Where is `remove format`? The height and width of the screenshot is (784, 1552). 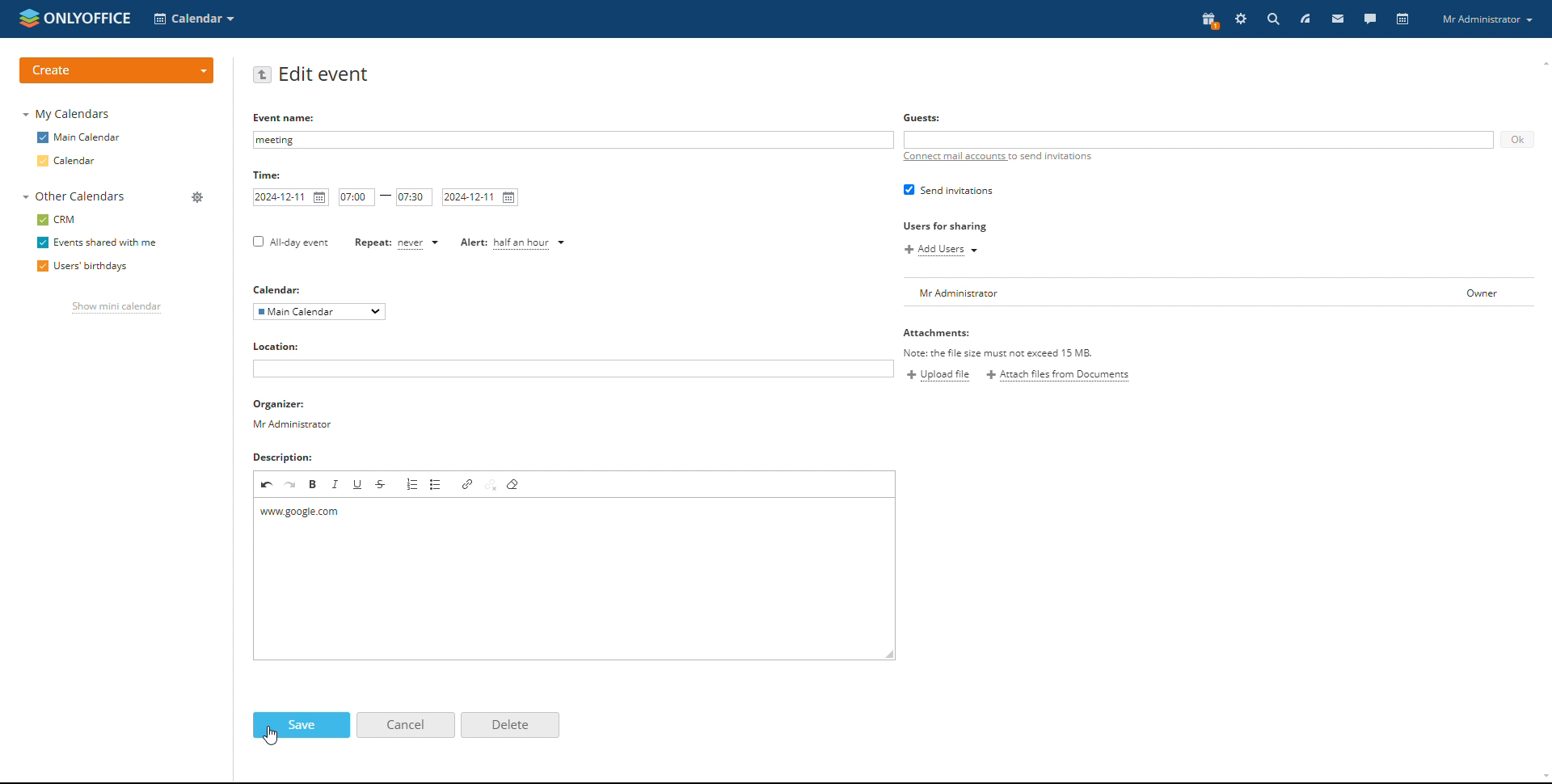
remove format is located at coordinates (515, 485).